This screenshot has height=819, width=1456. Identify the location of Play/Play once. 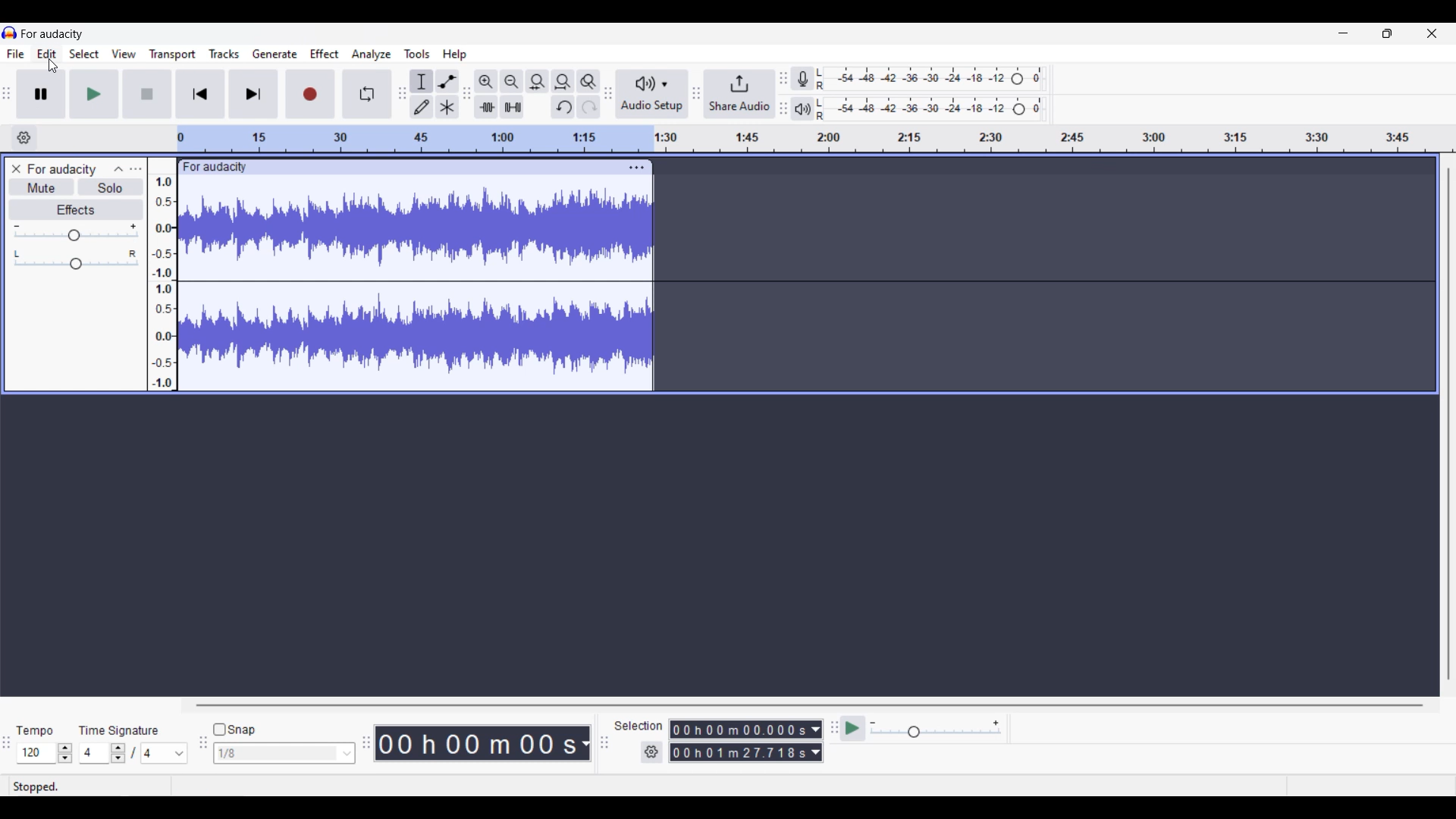
(94, 94).